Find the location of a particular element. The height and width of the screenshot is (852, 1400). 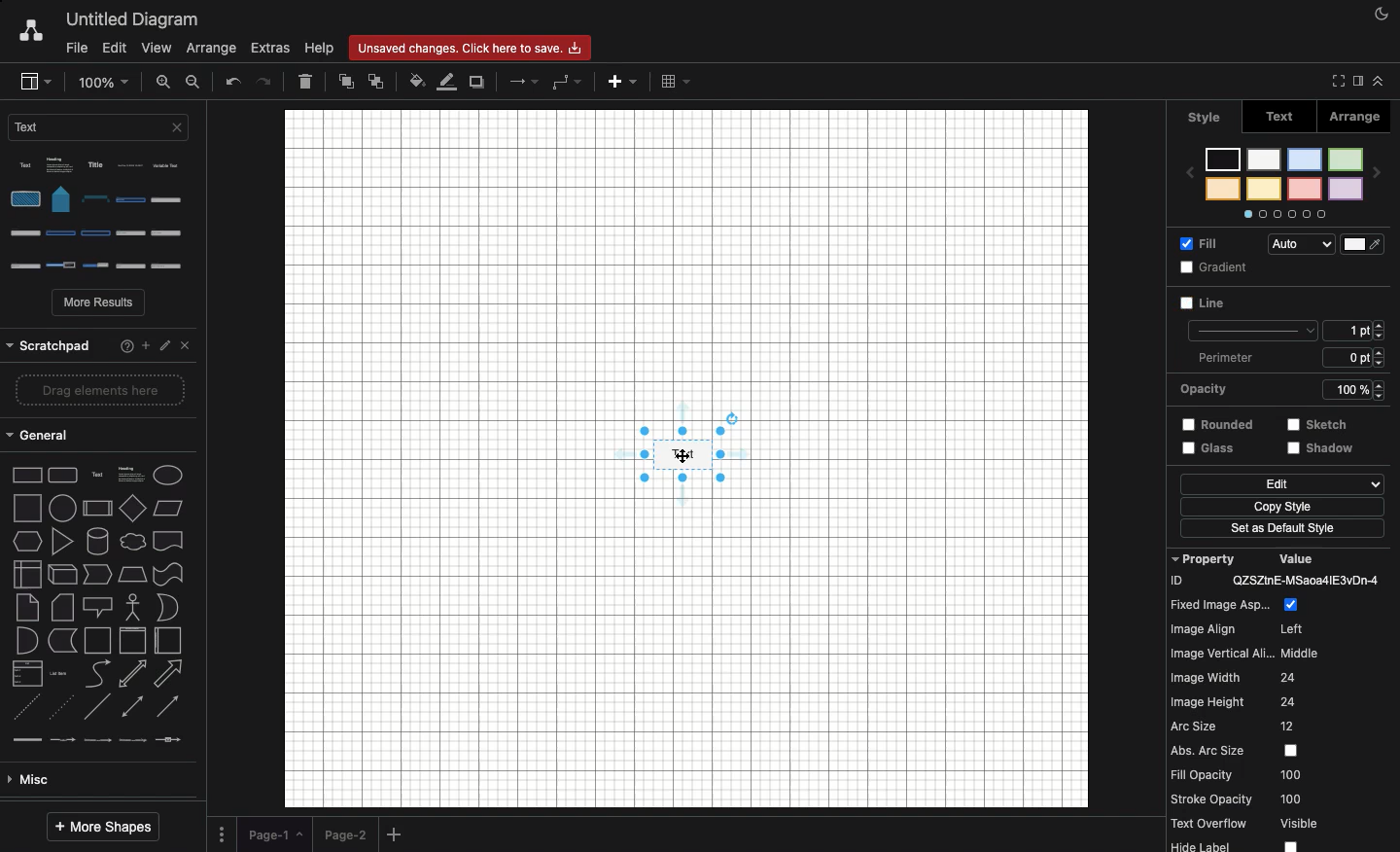

Sidebar is located at coordinates (34, 82).